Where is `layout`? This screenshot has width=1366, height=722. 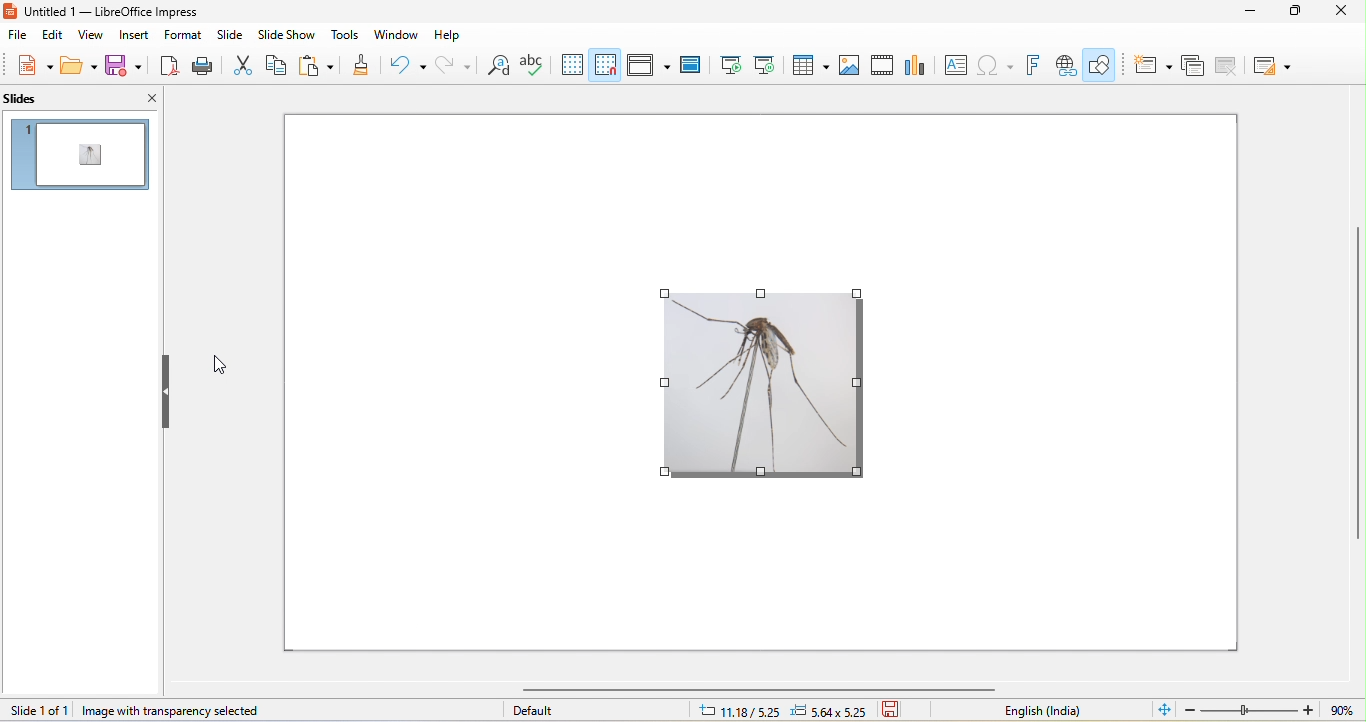
layout is located at coordinates (1270, 67).